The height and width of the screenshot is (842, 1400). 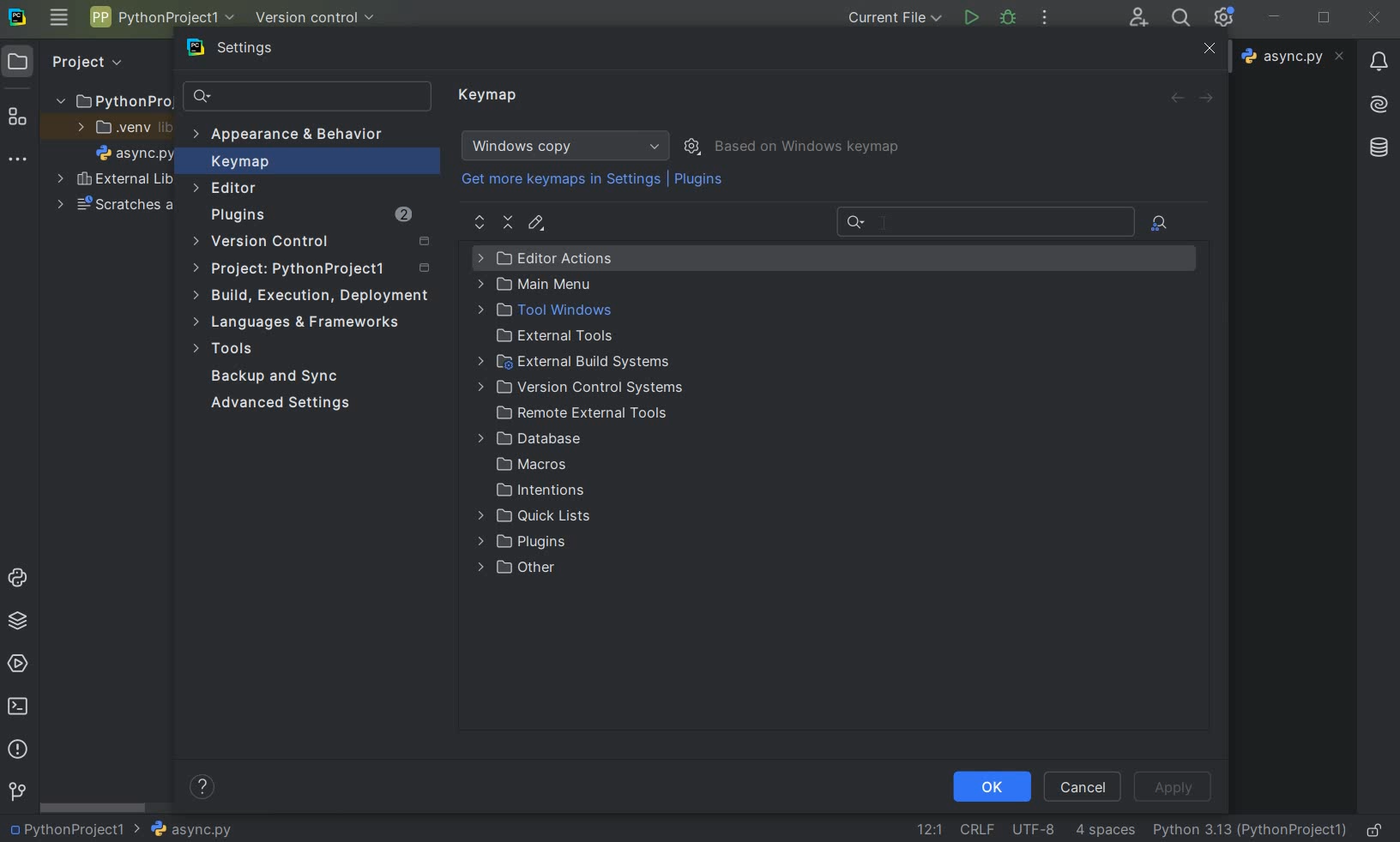 What do you see at coordinates (299, 323) in the screenshot?
I see `language & frameworks` at bounding box center [299, 323].